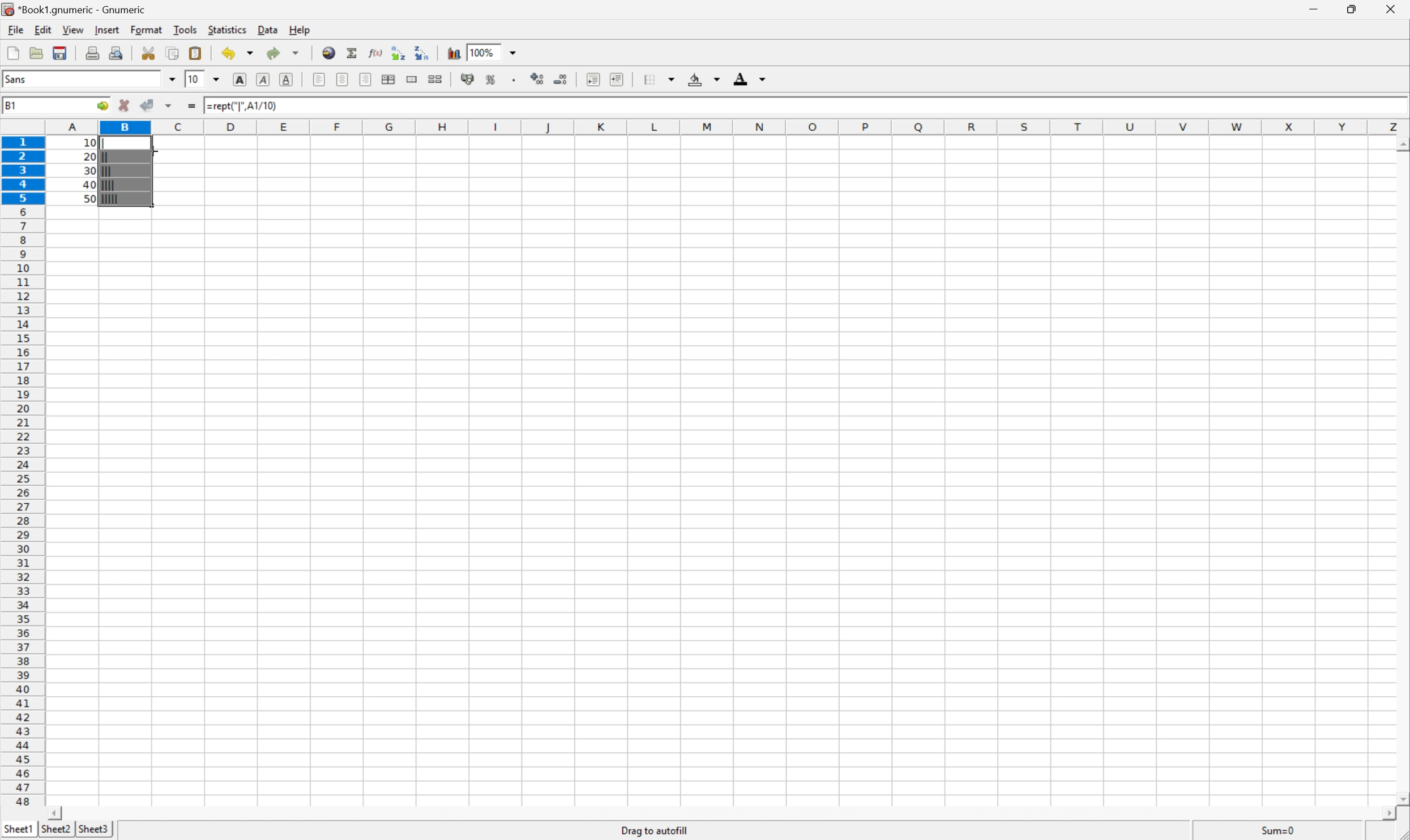 The width and height of the screenshot is (1410, 840). What do you see at coordinates (106, 29) in the screenshot?
I see `Insert` at bounding box center [106, 29].